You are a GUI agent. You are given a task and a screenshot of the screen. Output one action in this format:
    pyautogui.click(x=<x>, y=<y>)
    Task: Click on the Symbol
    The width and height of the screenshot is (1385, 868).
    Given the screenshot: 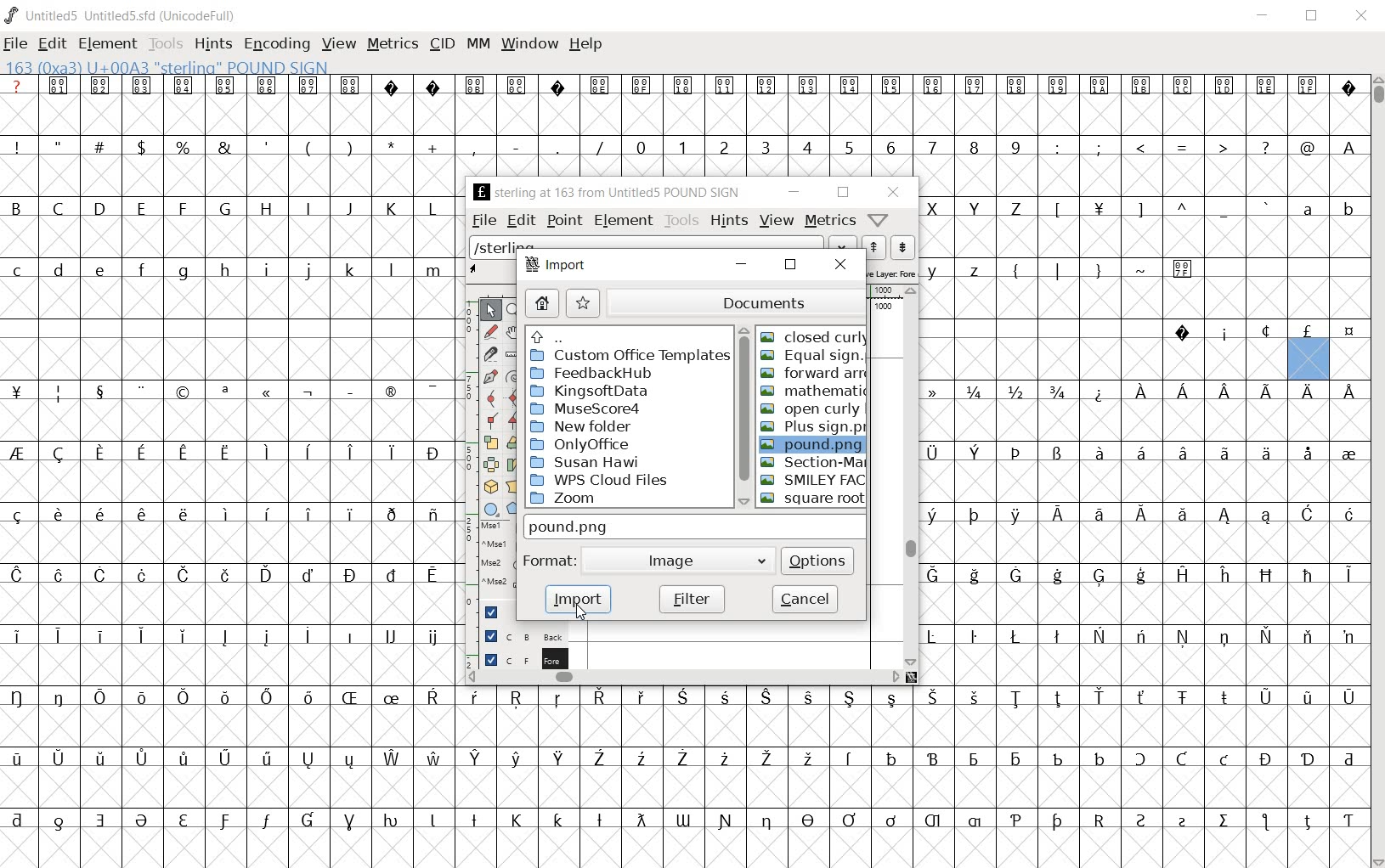 What is the action you would take?
    pyautogui.click(x=101, y=454)
    